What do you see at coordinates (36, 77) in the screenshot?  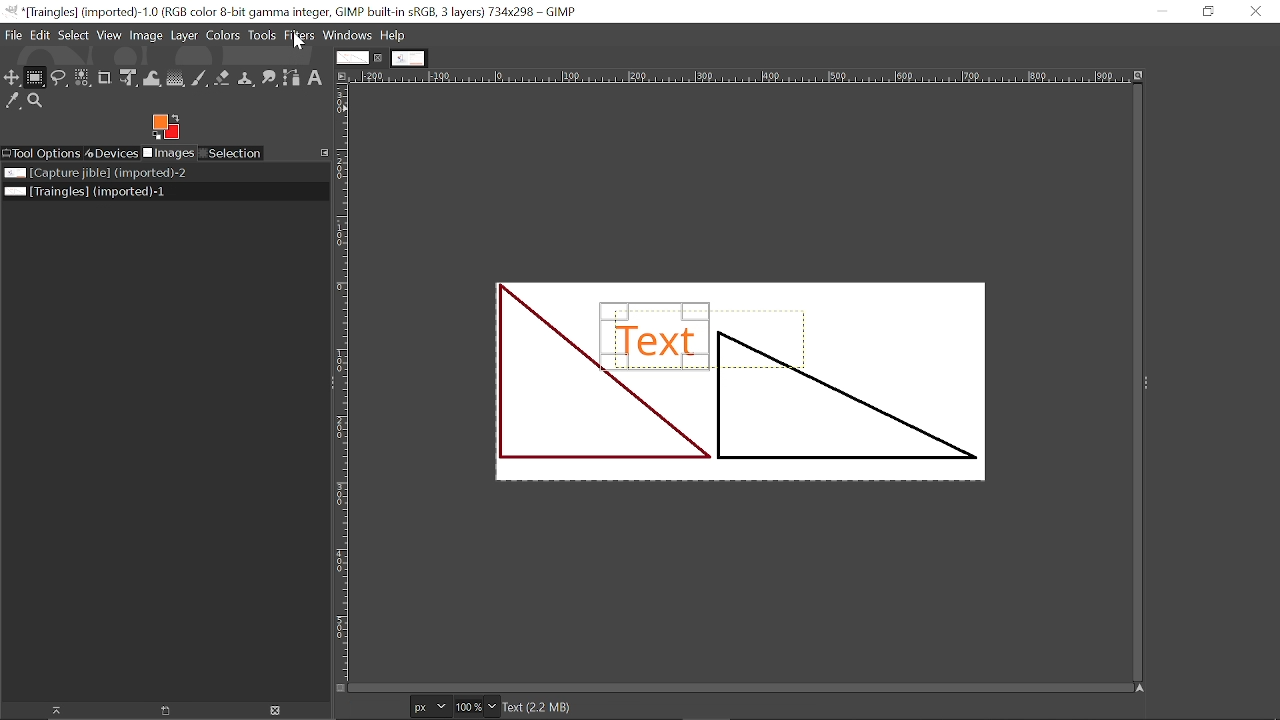 I see `Rectangular select` at bounding box center [36, 77].